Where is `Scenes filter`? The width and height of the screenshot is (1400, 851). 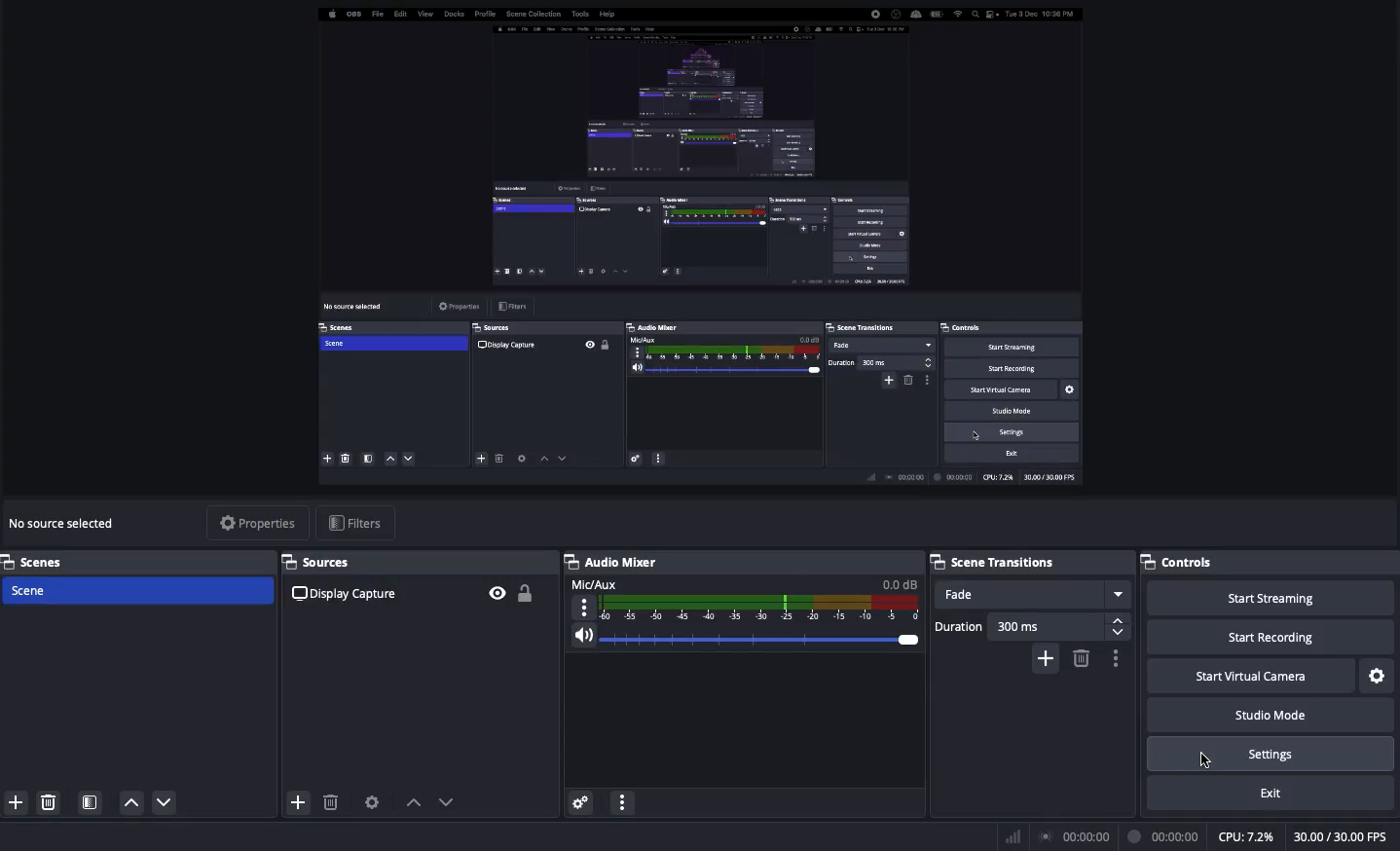 Scenes filter is located at coordinates (91, 802).